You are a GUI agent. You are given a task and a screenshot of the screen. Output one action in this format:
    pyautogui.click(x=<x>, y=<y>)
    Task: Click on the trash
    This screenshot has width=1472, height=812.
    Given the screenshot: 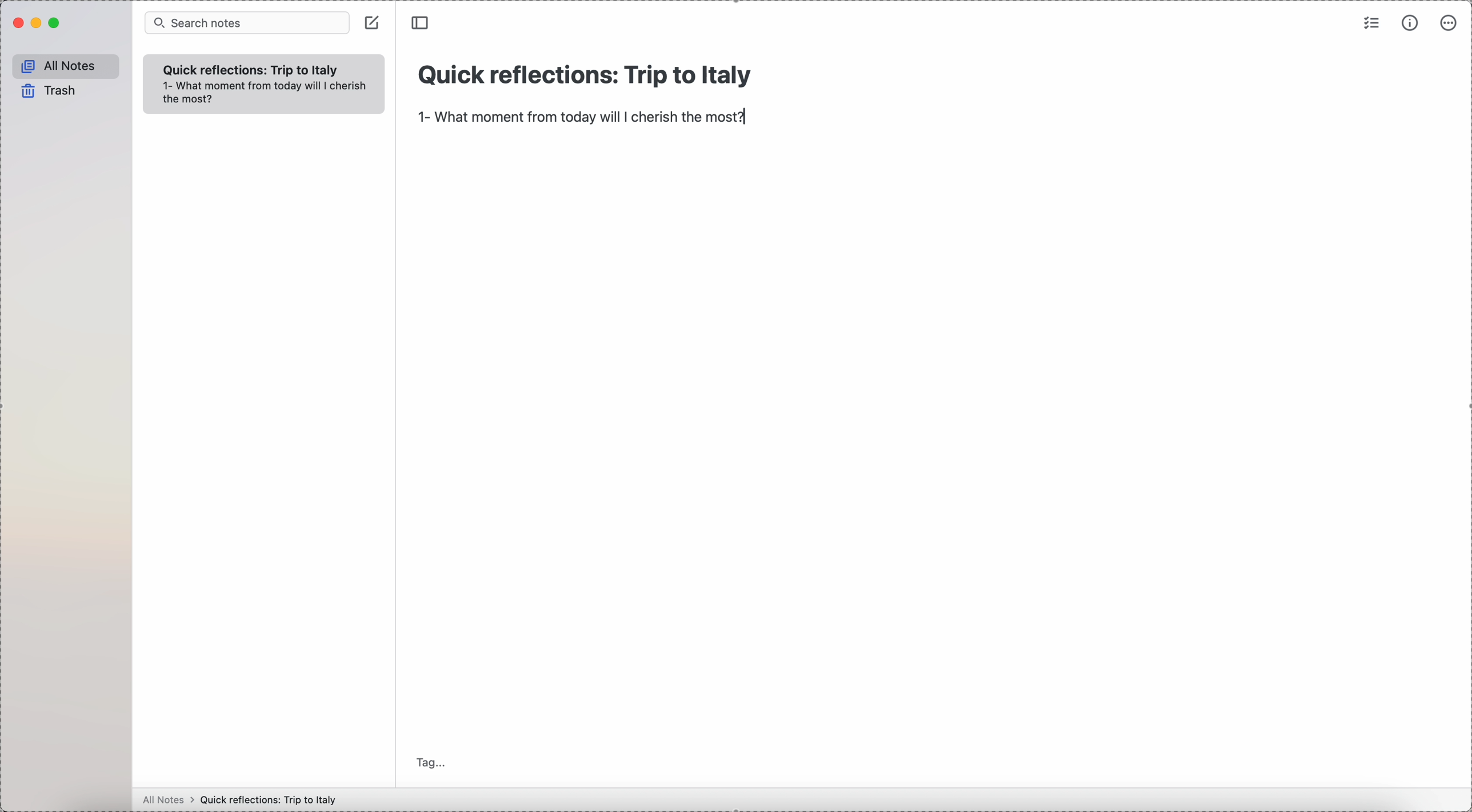 What is the action you would take?
    pyautogui.click(x=47, y=91)
    